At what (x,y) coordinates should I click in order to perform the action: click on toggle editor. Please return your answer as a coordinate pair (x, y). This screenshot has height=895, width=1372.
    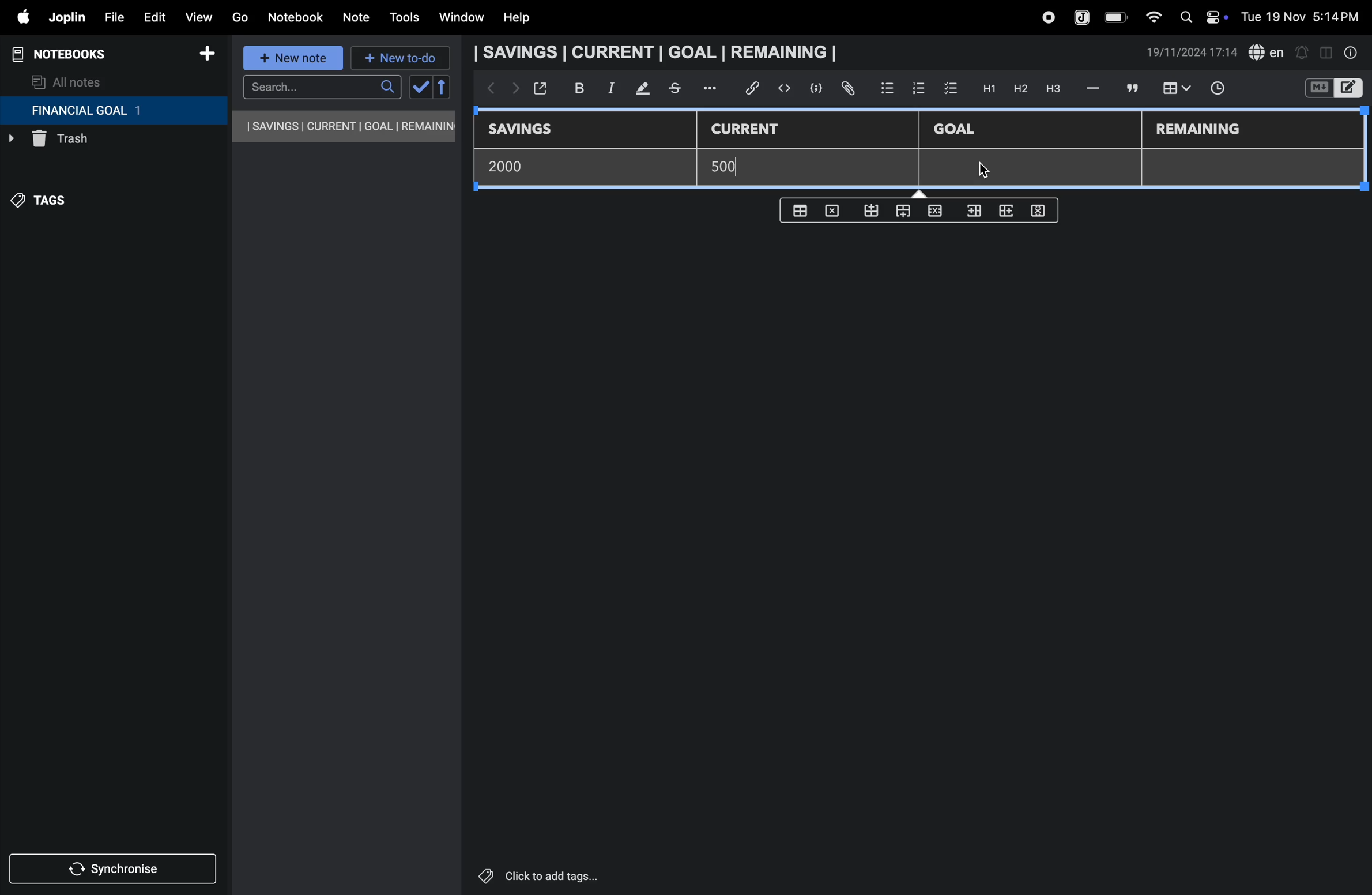
    Looking at the image, I should click on (1326, 51).